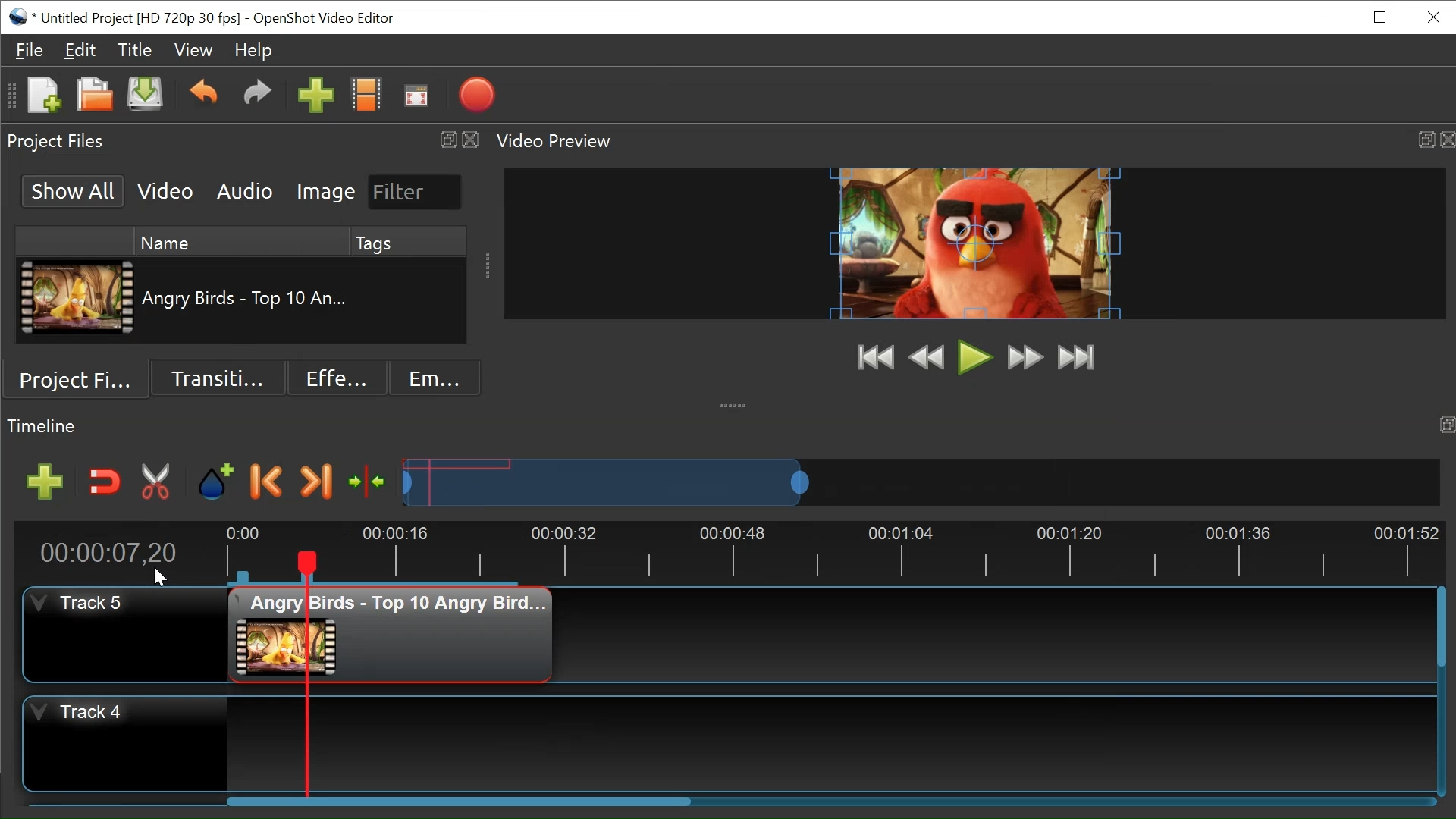 The image size is (1456, 819). Describe the element at coordinates (107, 554) in the screenshot. I see `Current Position` at that location.